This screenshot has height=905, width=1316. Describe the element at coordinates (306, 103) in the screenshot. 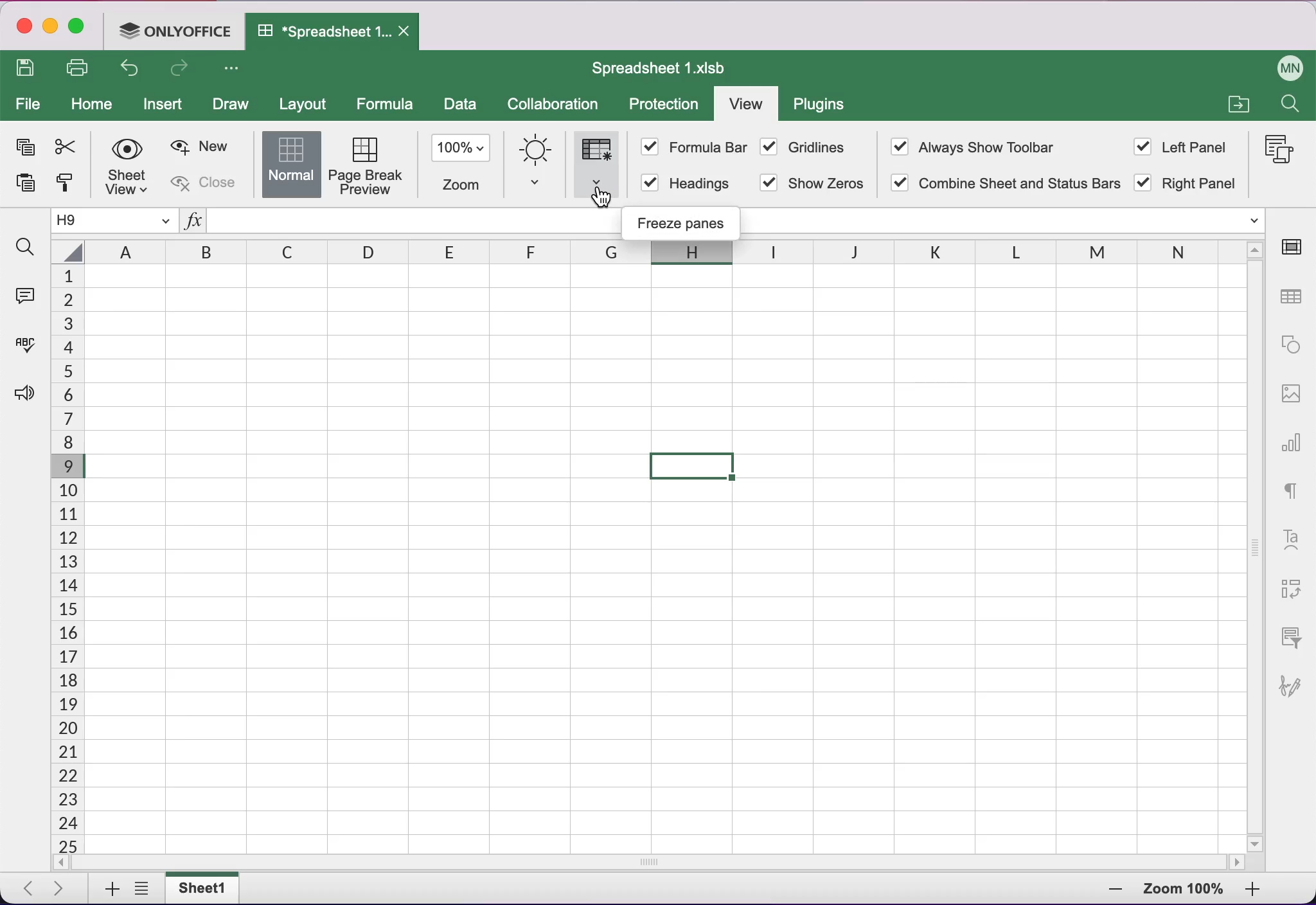

I see `layout` at that location.